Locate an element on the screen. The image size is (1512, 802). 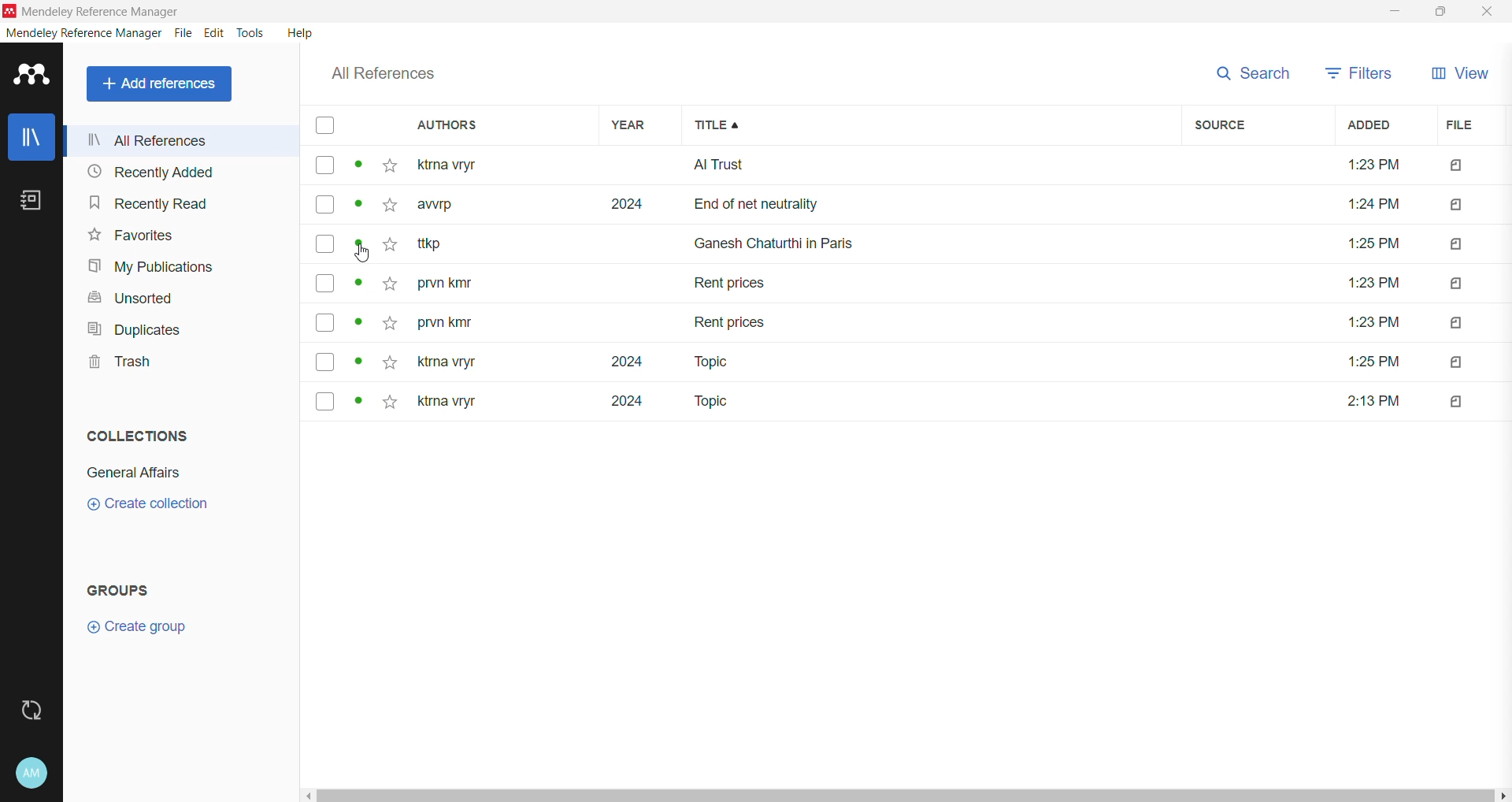
Help is located at coordinates (298, 35).